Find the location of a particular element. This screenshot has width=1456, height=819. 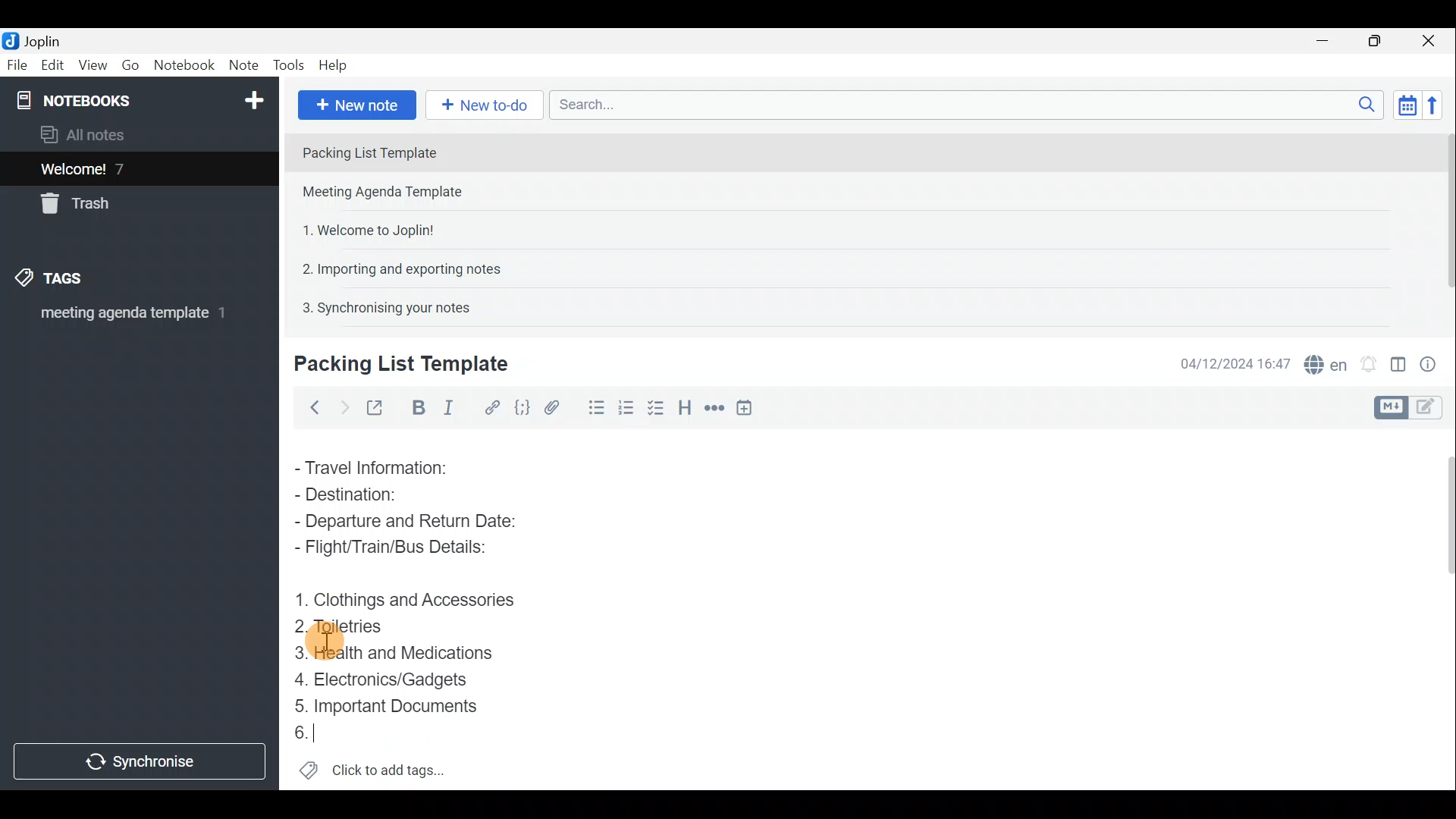

Click to add tags is located at coordinates (372, 770).